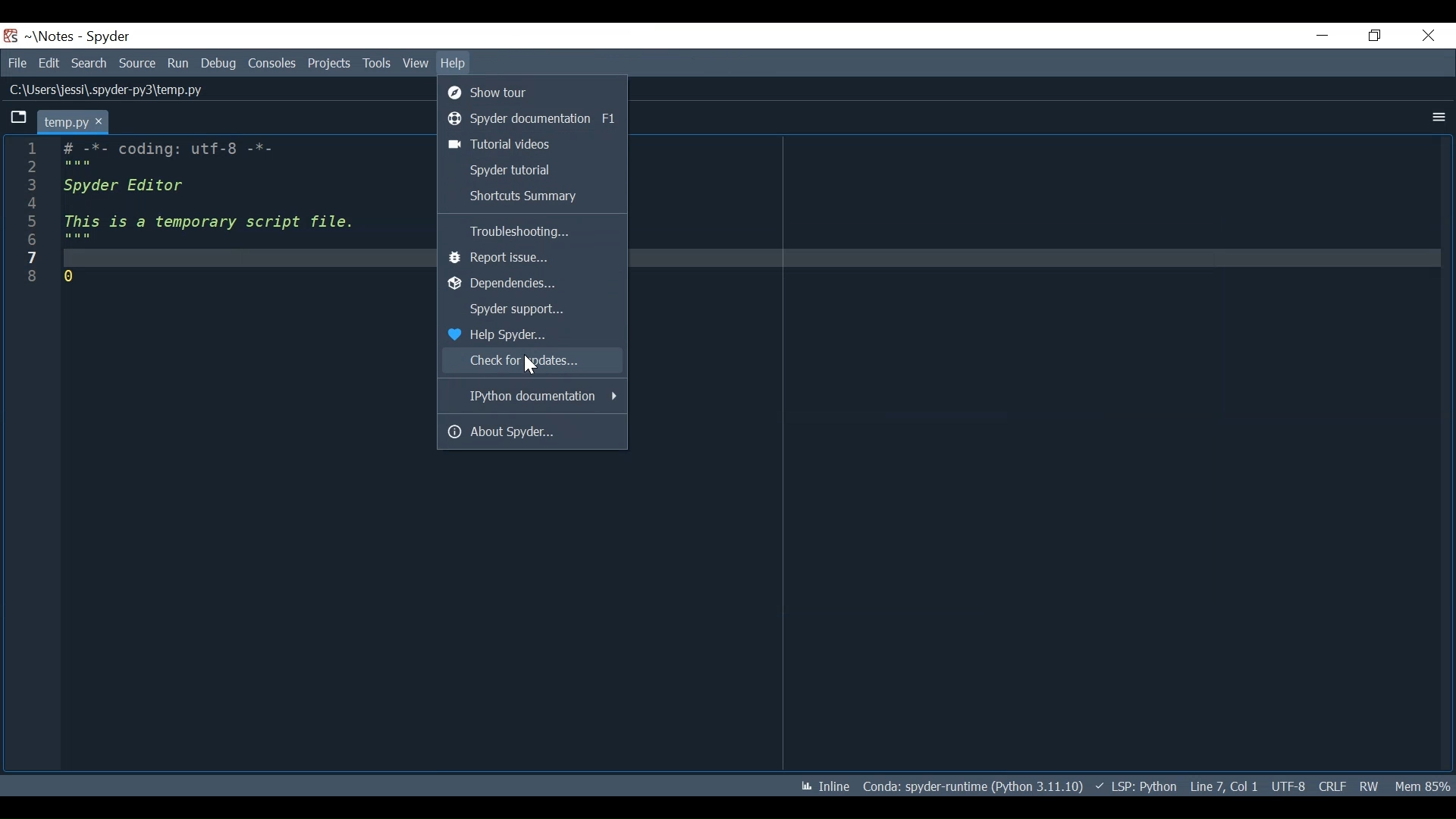 This screenshot has height=819, width=1456. What do you see at coordinates (529, 282) in the screenshot?
I see `Dependencies` at bounding box center [529, 282].